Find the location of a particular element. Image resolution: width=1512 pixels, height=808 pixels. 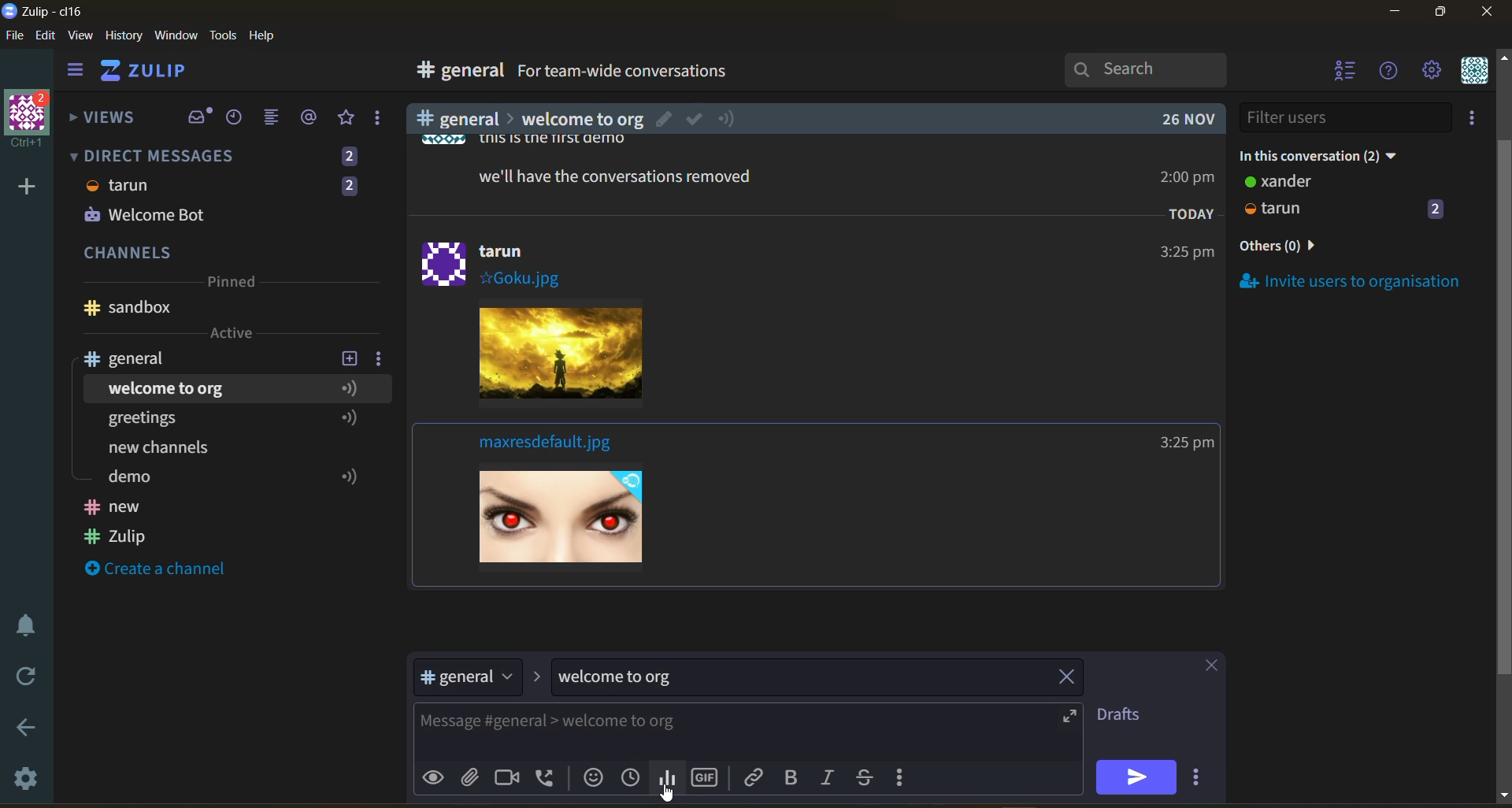

strikethrough is located at coordinates (869, 776).